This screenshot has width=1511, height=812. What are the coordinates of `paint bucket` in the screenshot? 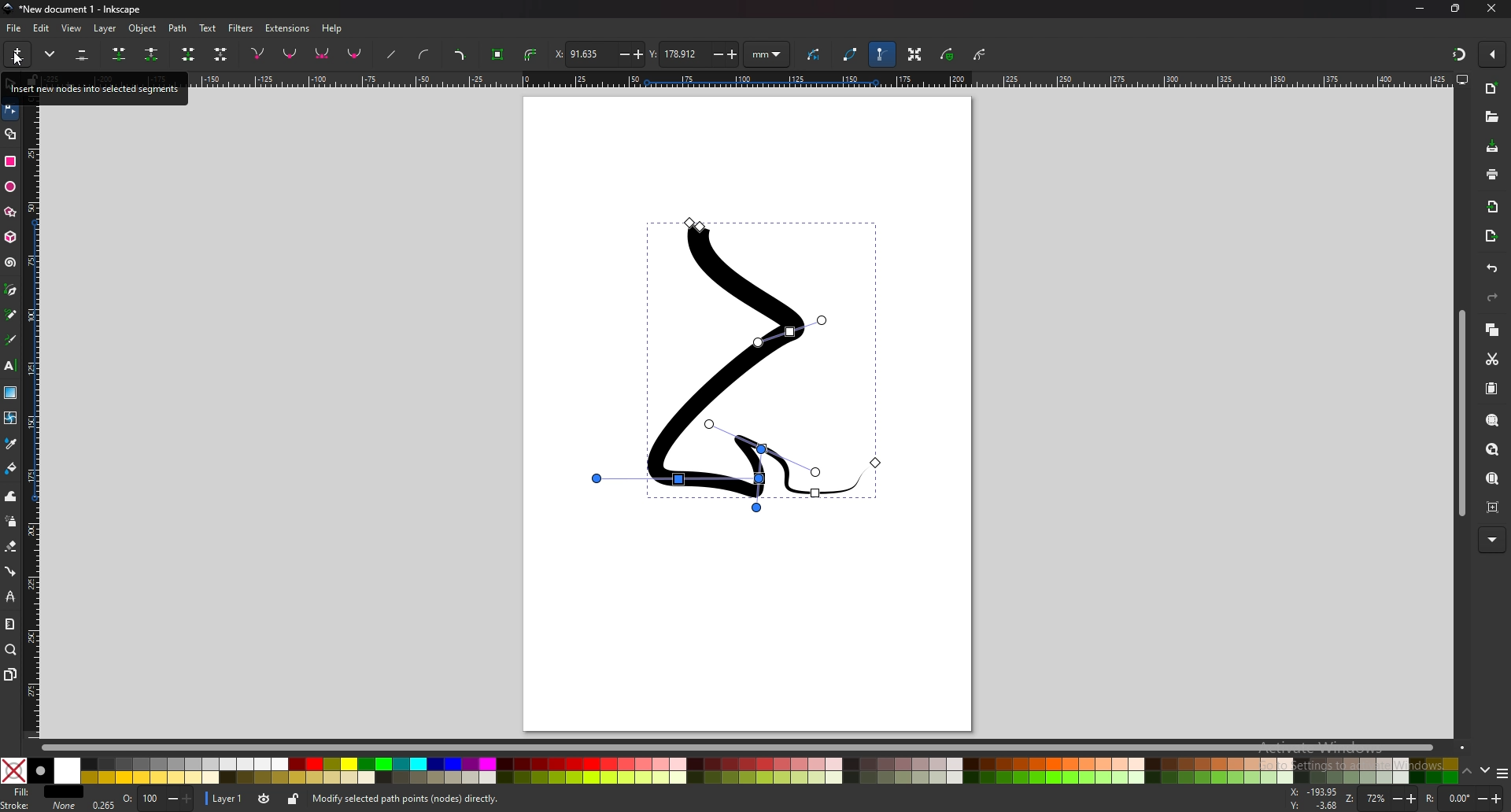 It's located at (10, 469).